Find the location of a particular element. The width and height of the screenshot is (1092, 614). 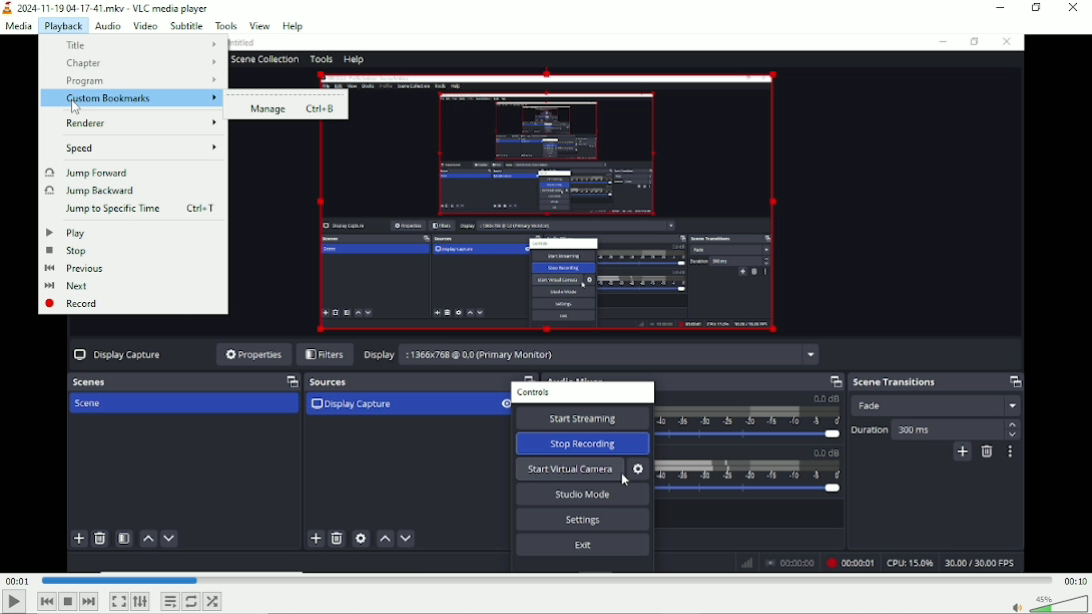

renderer is located at coordinates (139, 123).